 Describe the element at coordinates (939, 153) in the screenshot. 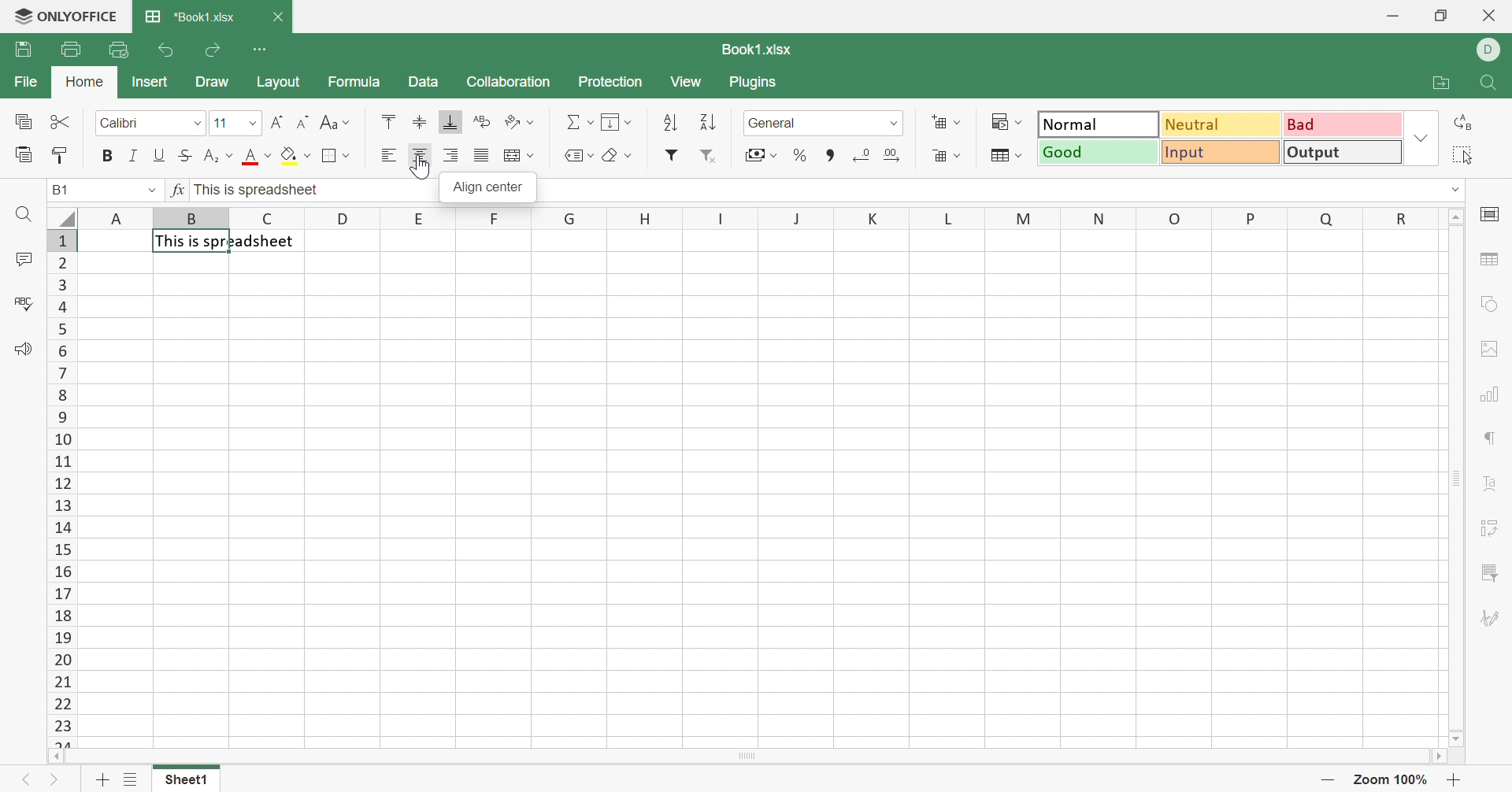

I see `Delete cells` at that location.